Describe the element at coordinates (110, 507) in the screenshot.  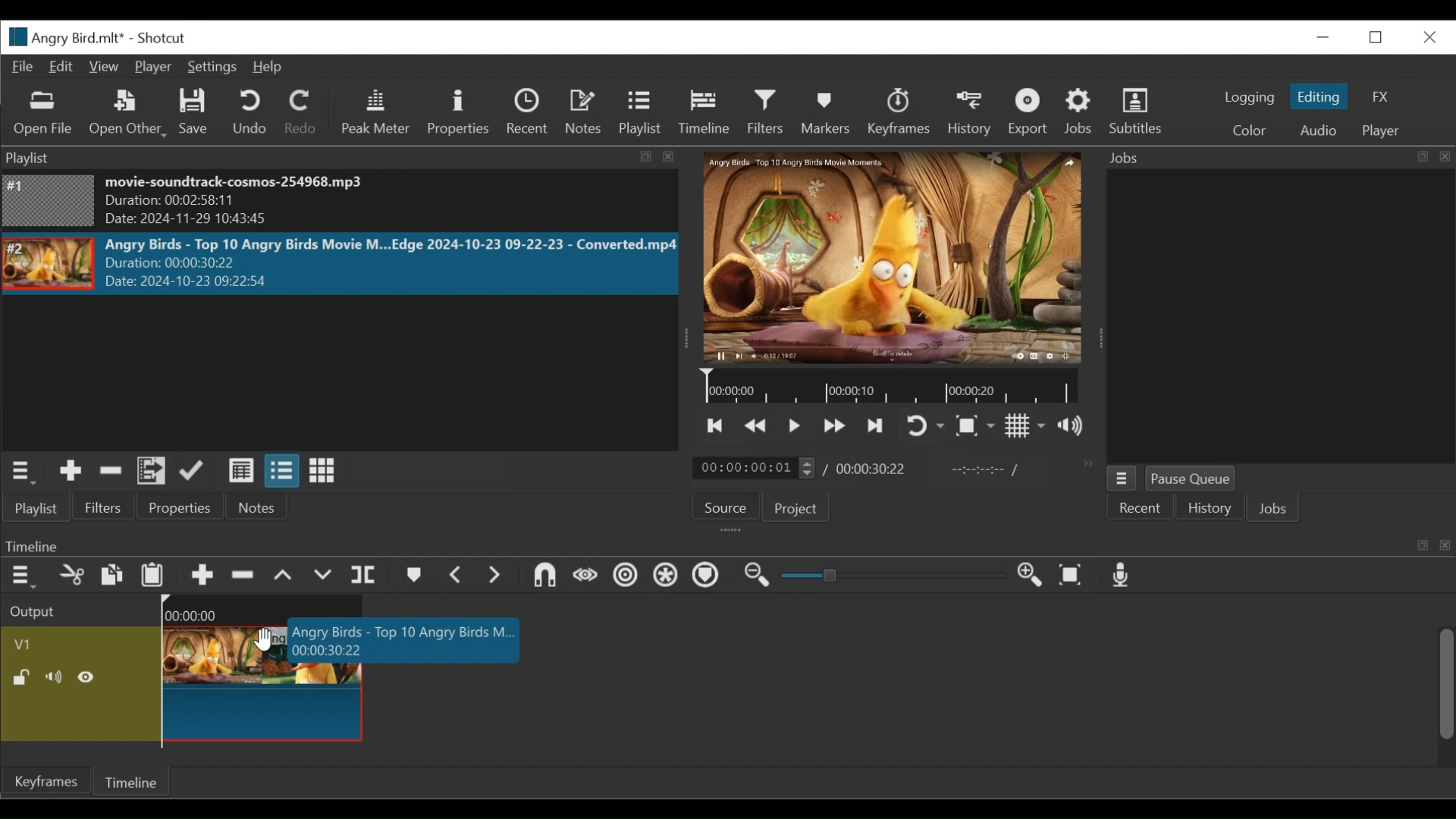
I see `Filters` at that location.